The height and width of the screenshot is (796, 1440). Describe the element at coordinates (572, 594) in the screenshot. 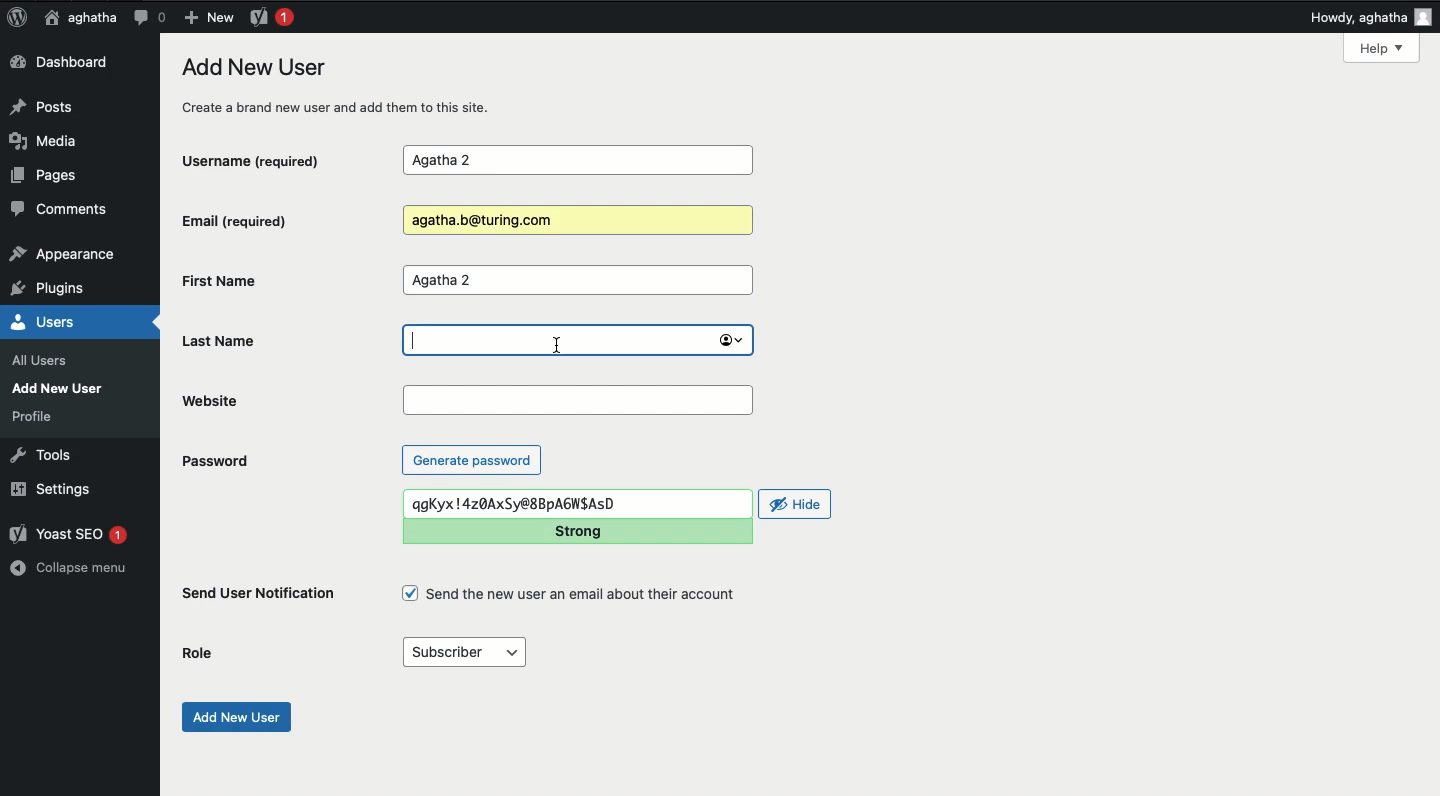

I see `Send the new user an email about their account` at that location.